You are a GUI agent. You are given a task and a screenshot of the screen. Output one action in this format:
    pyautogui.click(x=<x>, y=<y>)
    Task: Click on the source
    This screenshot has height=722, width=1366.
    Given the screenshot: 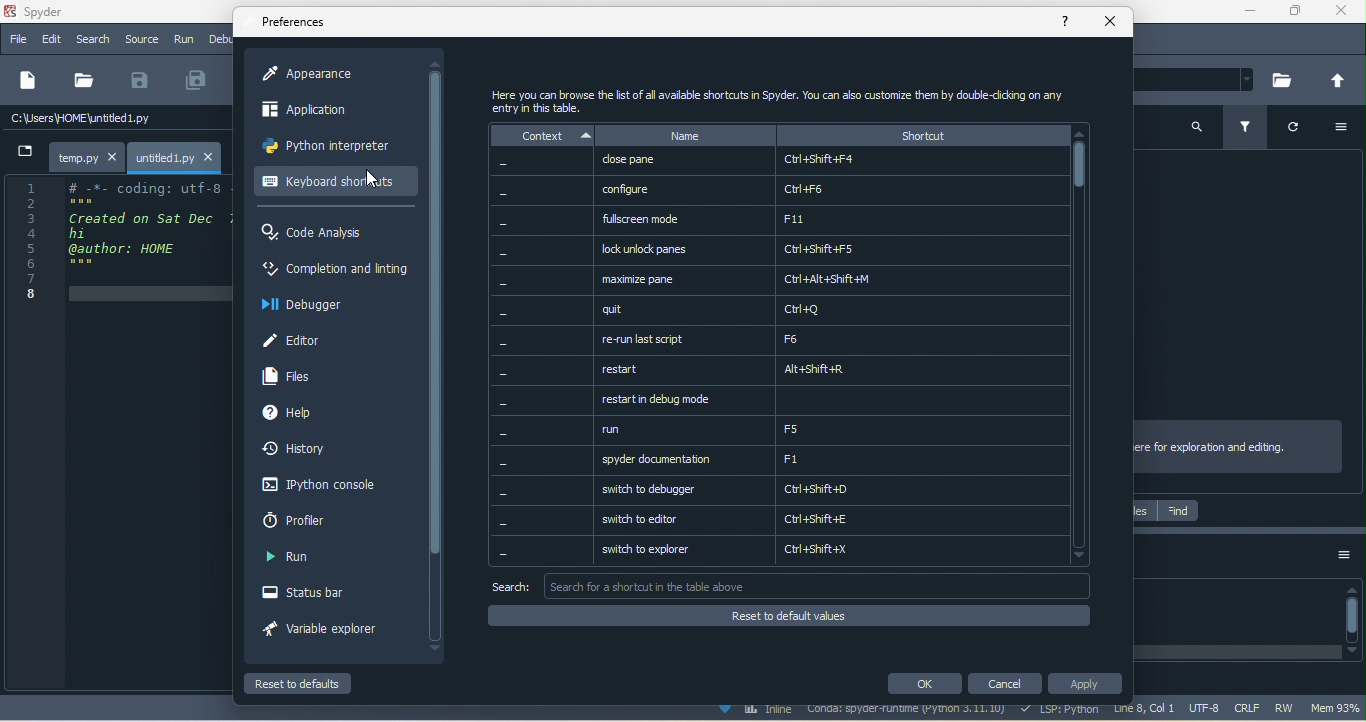 What is the action you would take?
    pyautogui.click(x=140, y=40)
    